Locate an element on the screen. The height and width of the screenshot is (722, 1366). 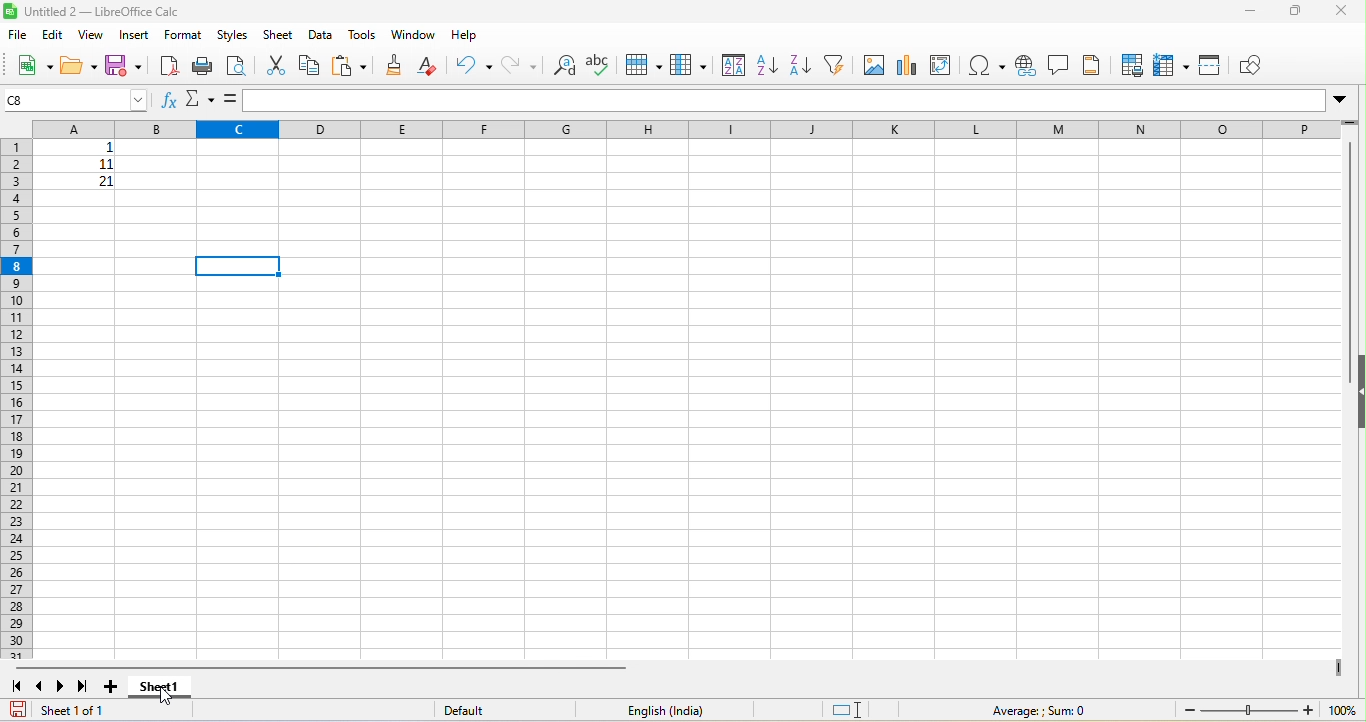
selected cell is located at coordinates (238, 265).